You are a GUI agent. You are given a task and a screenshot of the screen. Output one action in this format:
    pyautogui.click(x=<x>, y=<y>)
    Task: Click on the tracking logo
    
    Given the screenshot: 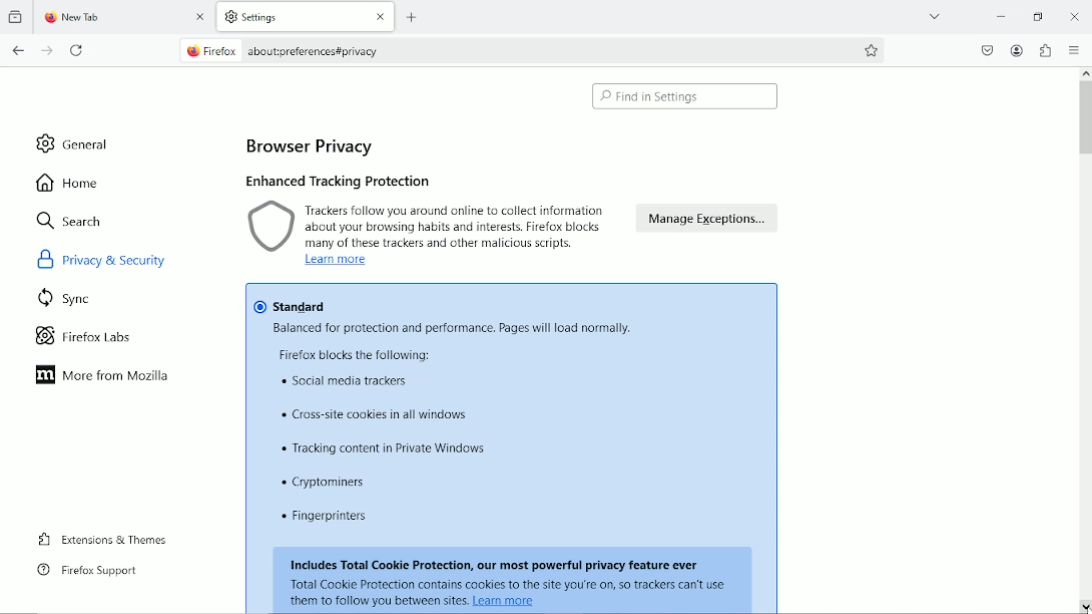 What is the action you would take?
    pyautogui.click(x=271, y=228)
    